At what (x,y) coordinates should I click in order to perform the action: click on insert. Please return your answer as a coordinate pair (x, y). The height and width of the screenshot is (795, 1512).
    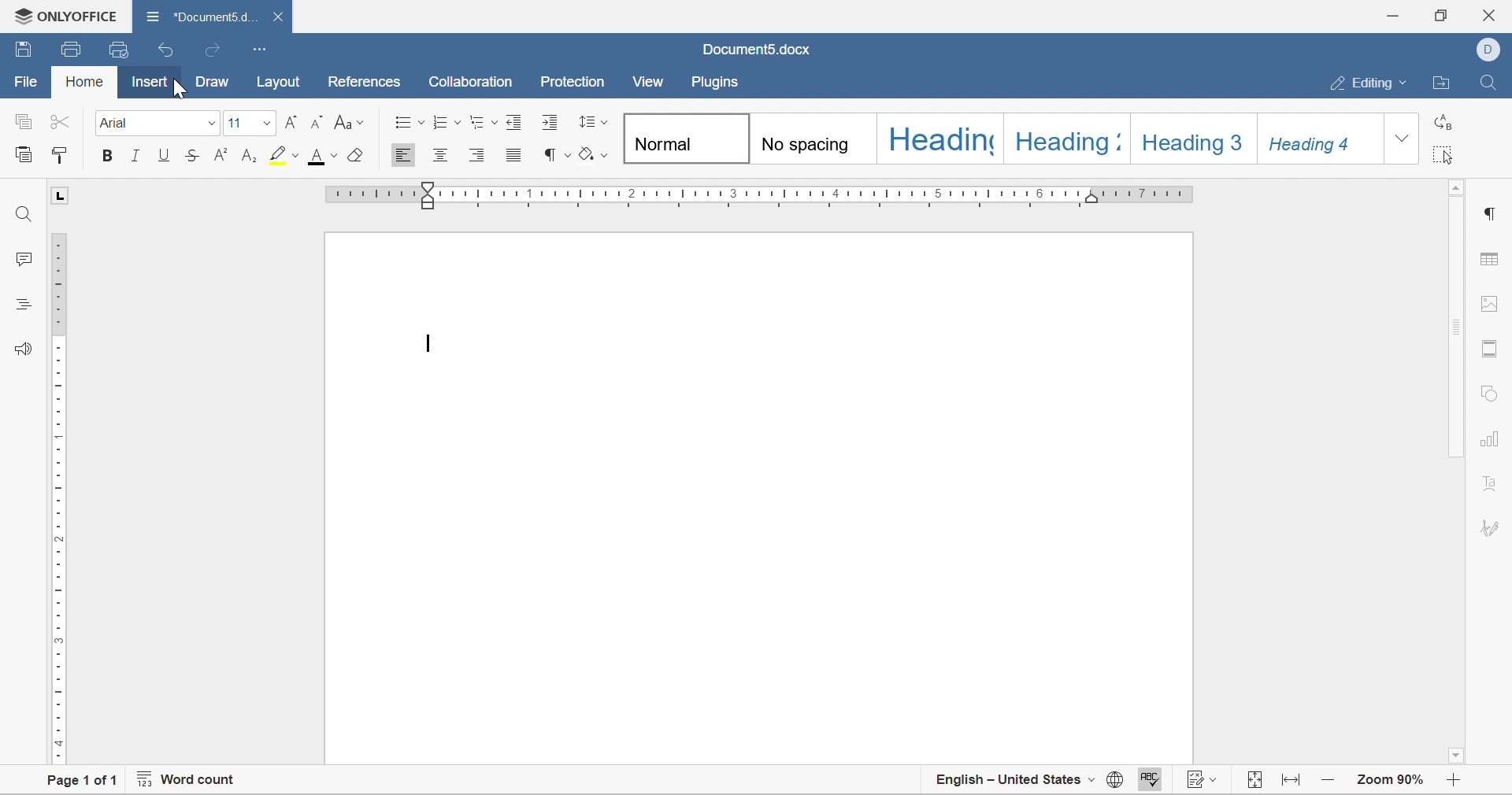
    Looking at the image, I should click on (153, 80).